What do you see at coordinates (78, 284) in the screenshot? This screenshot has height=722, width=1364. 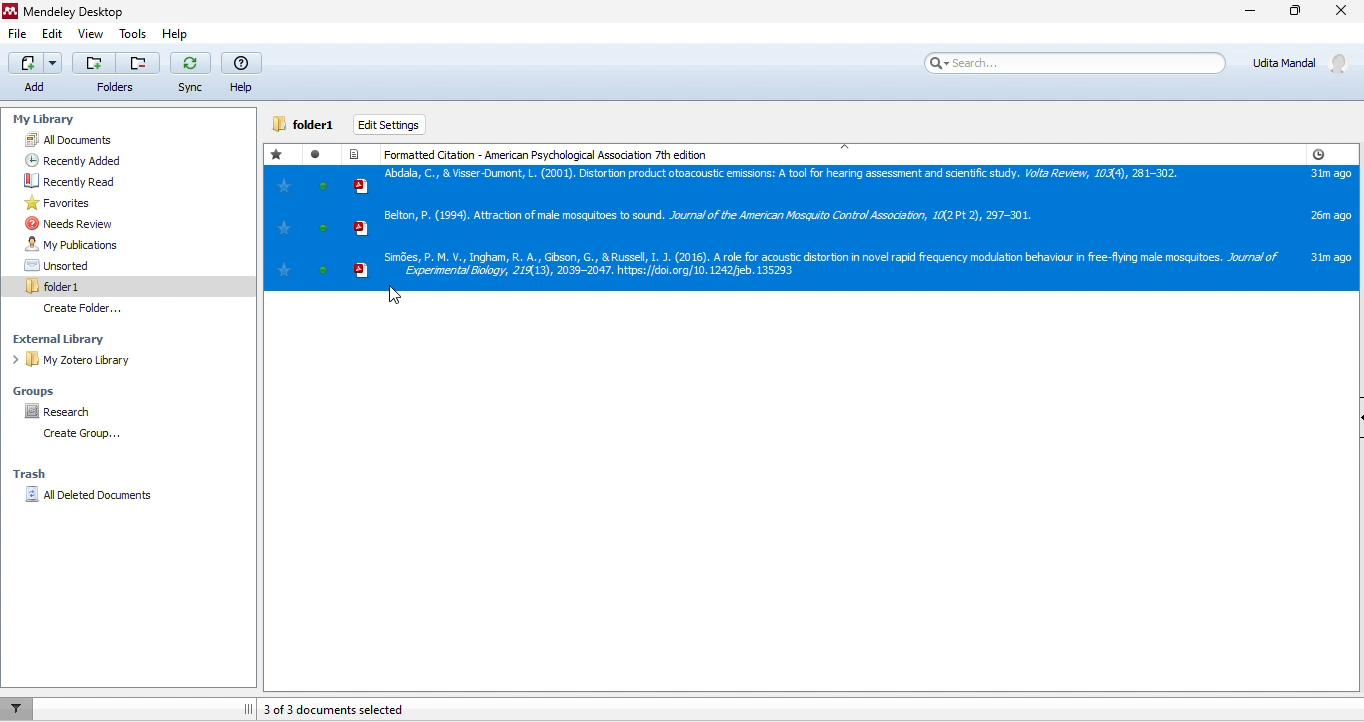 I see `folder1` at bounding box center [78, 284].